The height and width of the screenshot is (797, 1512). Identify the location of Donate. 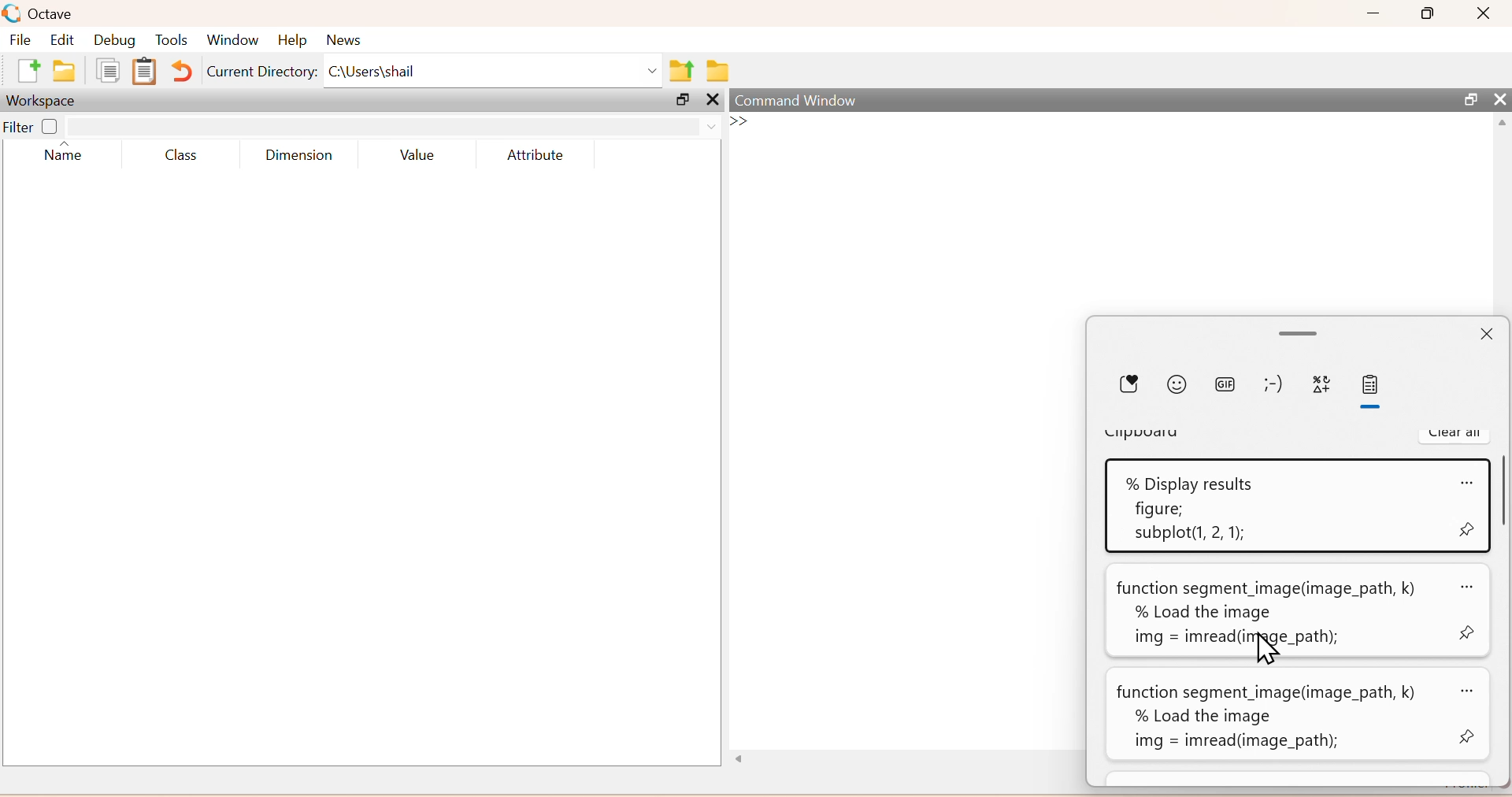
(1128, 384).